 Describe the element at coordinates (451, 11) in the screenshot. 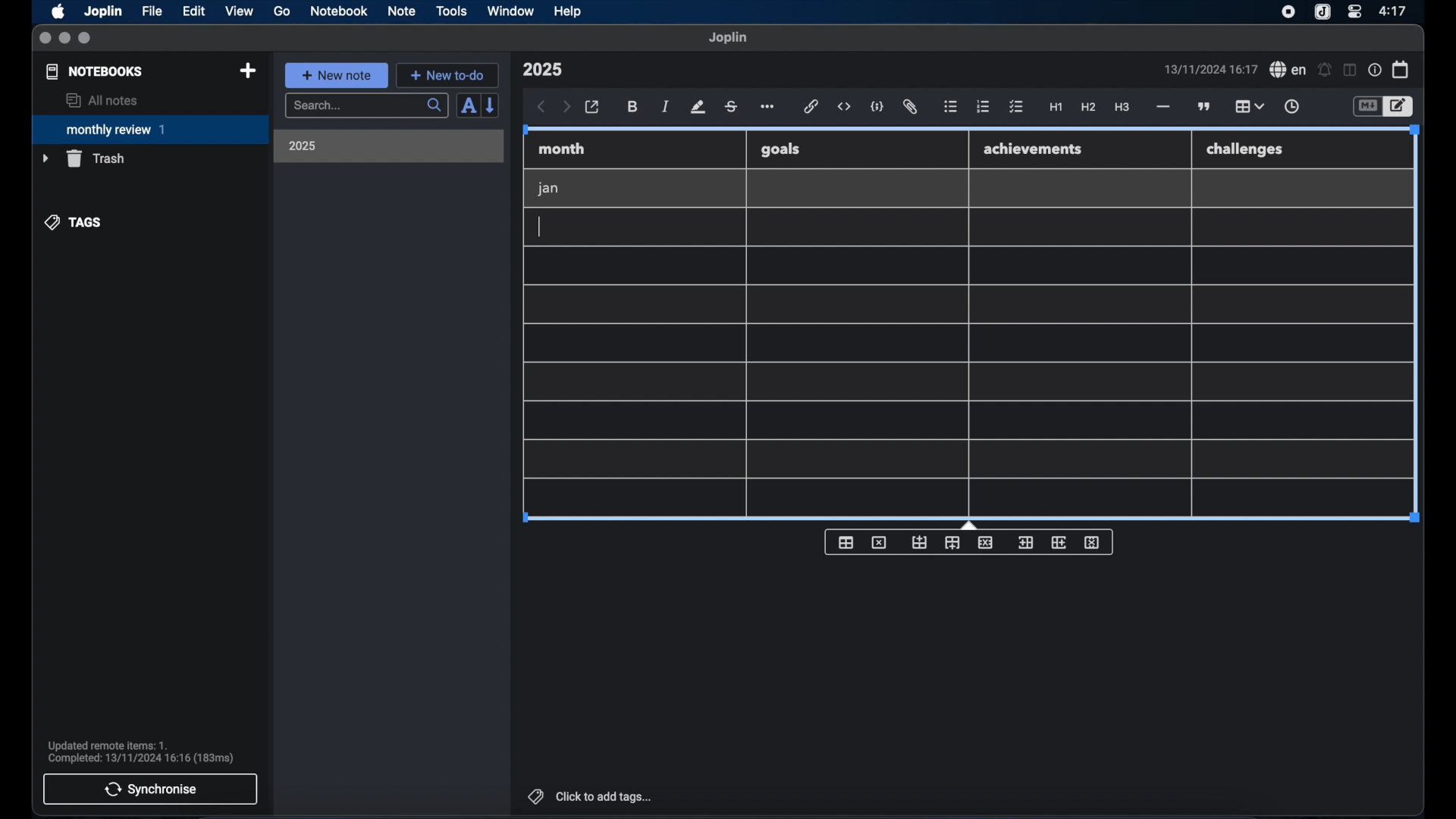

I see `tools` at that location.